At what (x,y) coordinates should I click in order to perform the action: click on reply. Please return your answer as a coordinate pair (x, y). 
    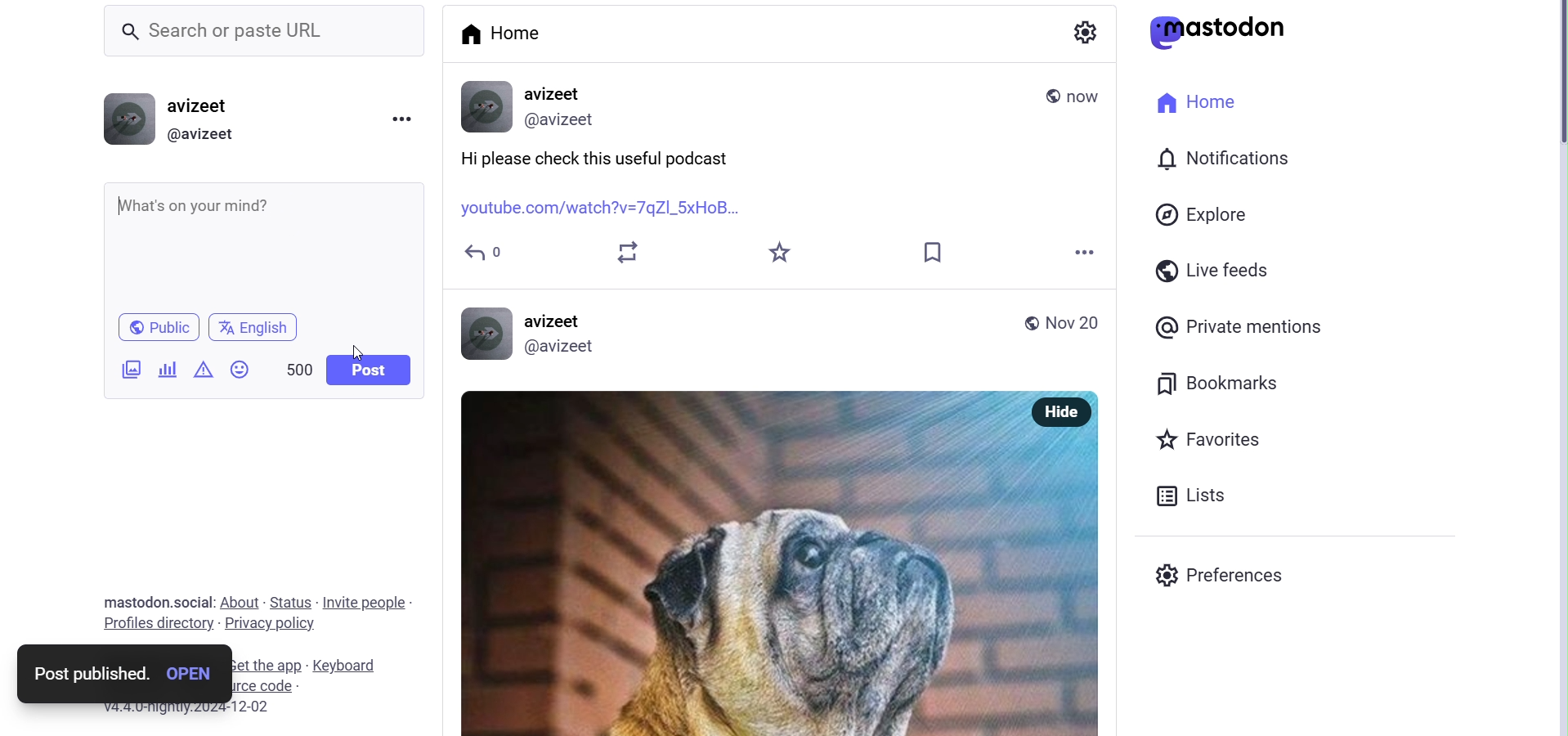
    Looking at the image, I should click on (484, 253).